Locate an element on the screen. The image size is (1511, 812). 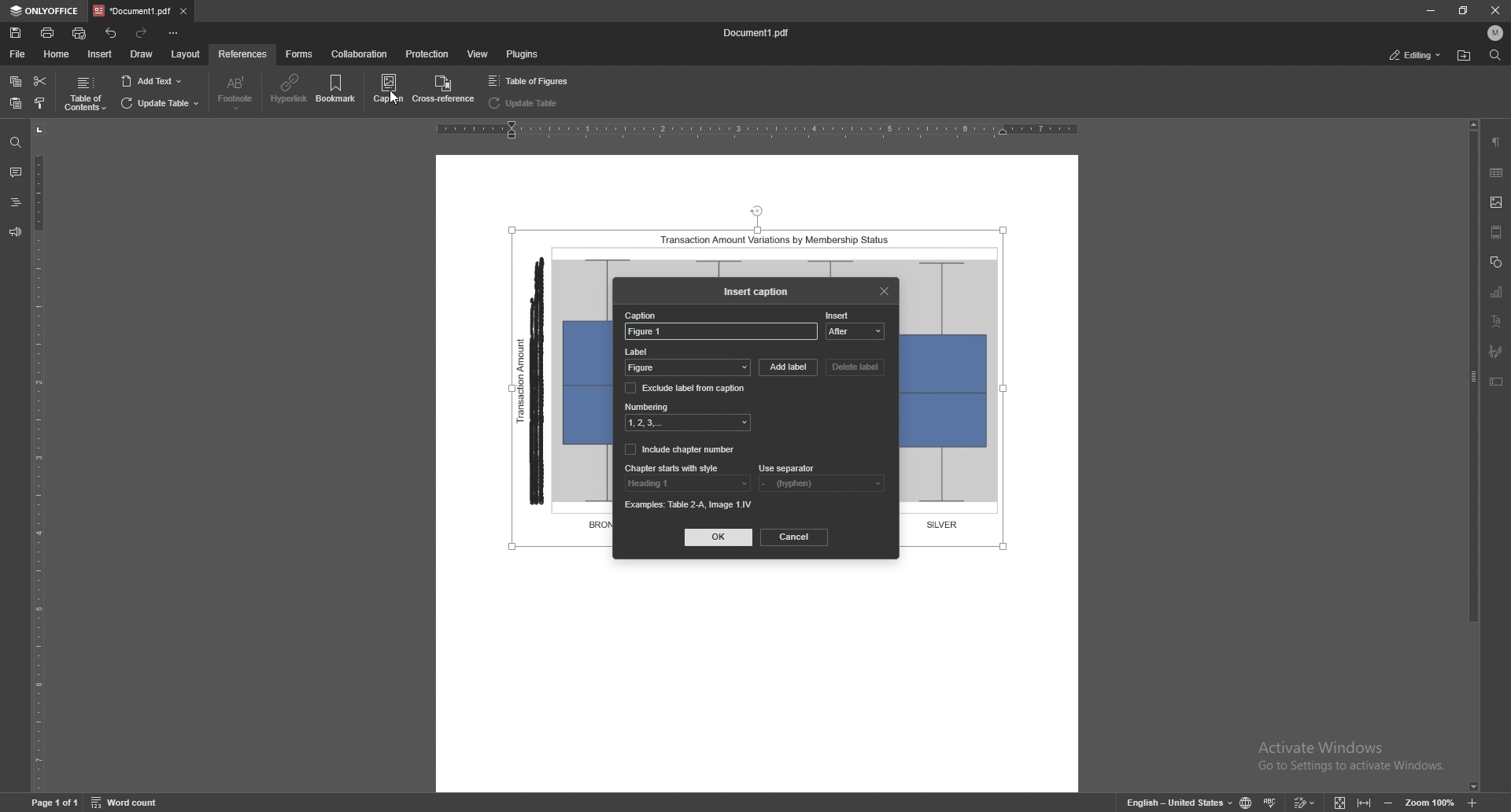
save is located at coordinates (17, 33).